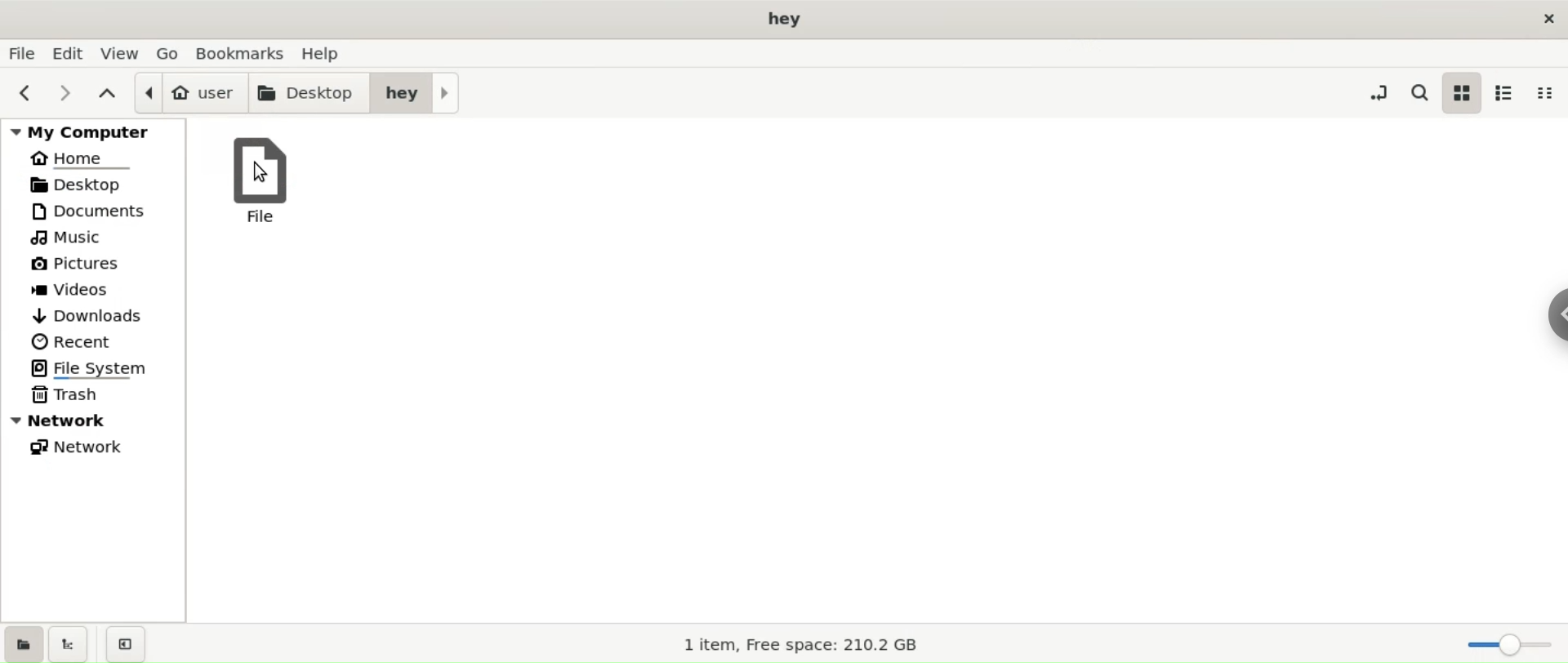 Image resolution: width=1568 pixels, height=663 pixels. What do you see at coordinates (258, 171) in the screenshot?
I see `cursor` at bounding box center [258, 171].